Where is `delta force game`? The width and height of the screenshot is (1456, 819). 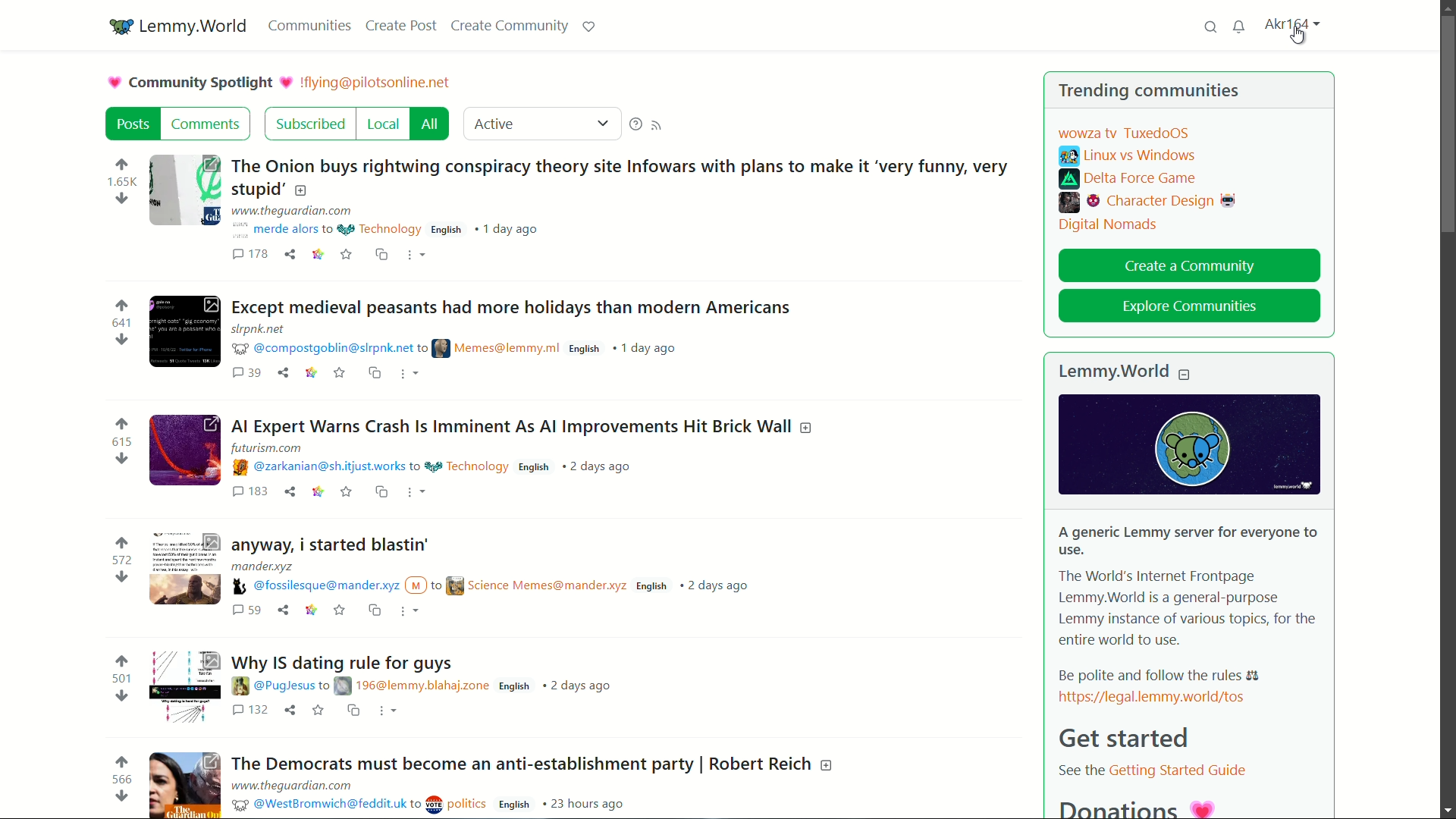
delta force game is located at coordinates (1130, 180).